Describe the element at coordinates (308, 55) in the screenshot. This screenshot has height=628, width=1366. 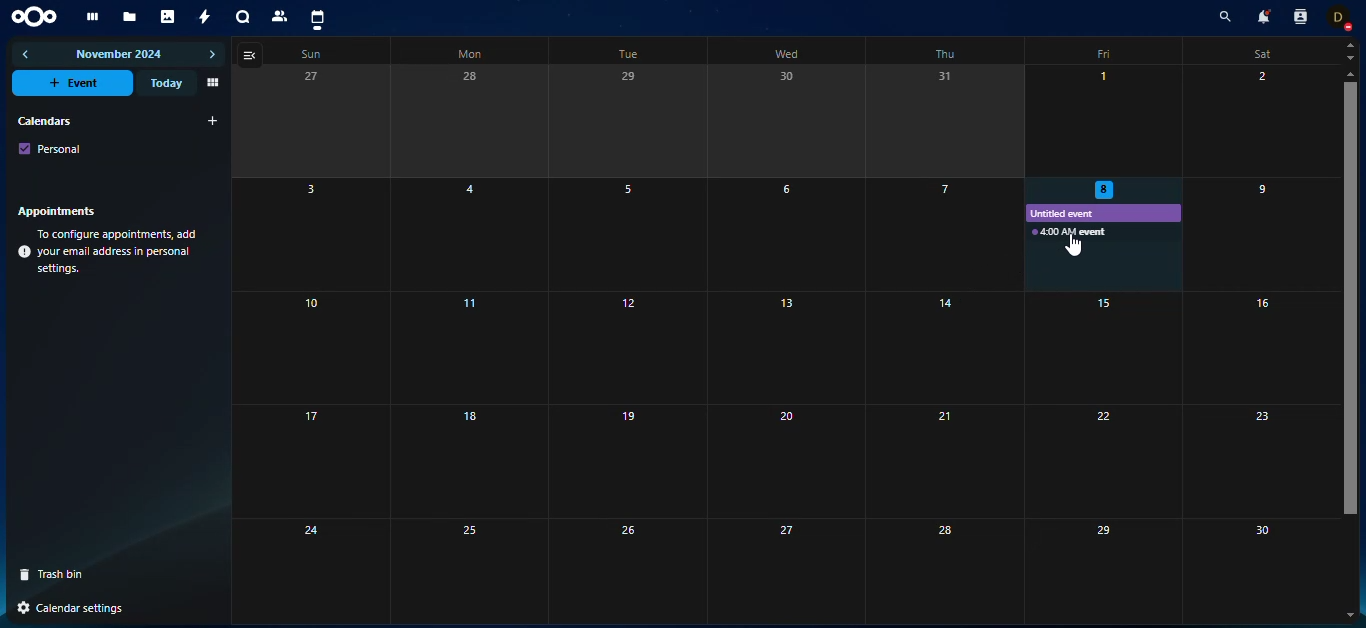
I see `sun` at that location.